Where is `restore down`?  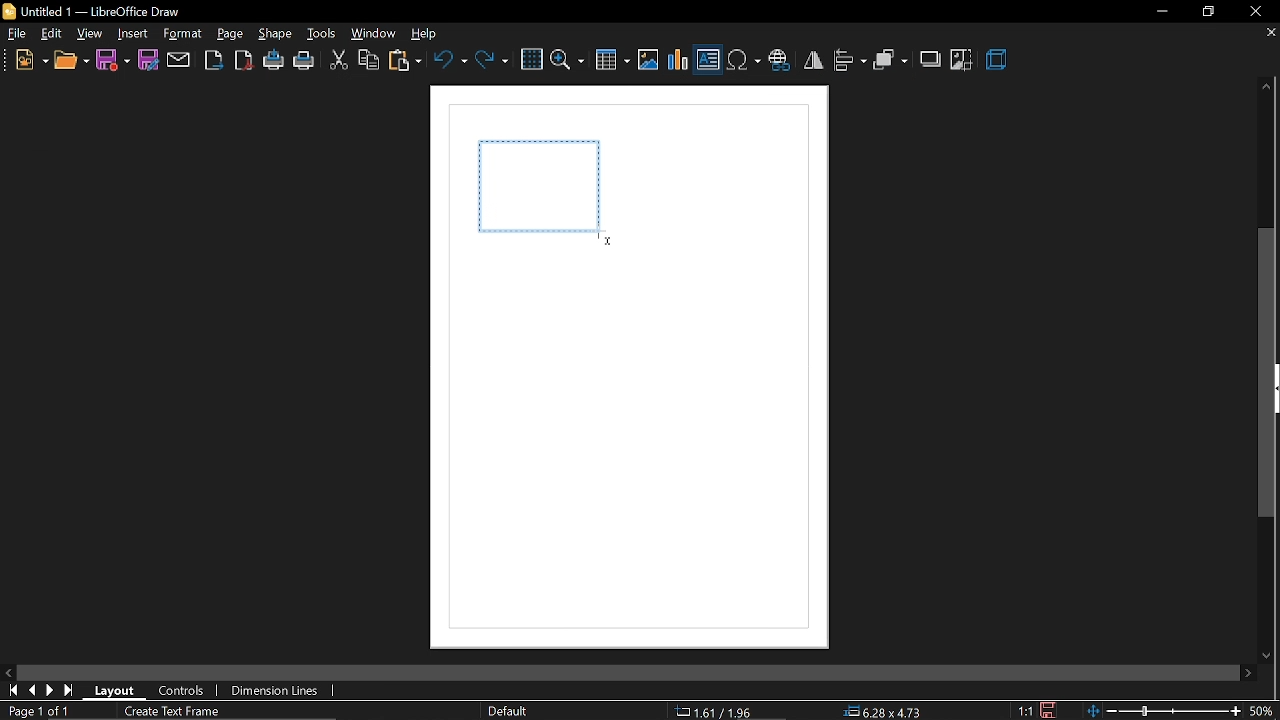
restore down is located at coordinates (1208, 11).